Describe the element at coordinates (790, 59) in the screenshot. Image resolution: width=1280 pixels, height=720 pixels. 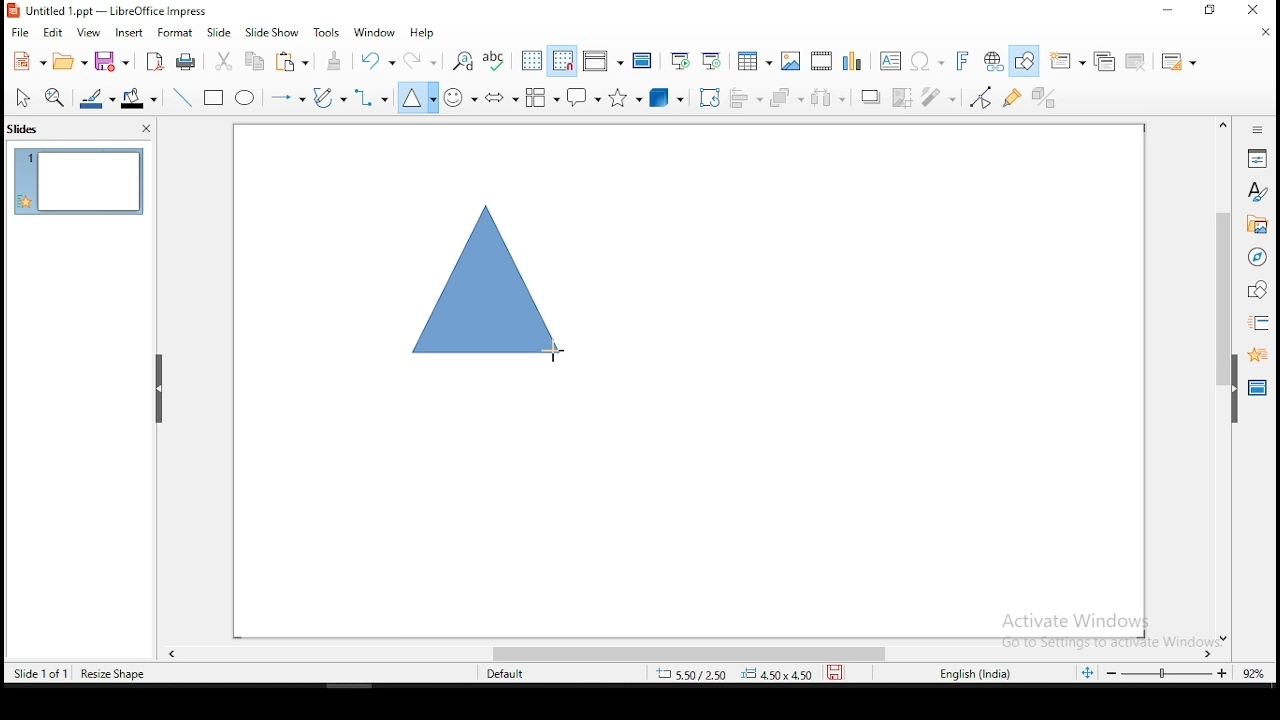
I see `images` at that location.